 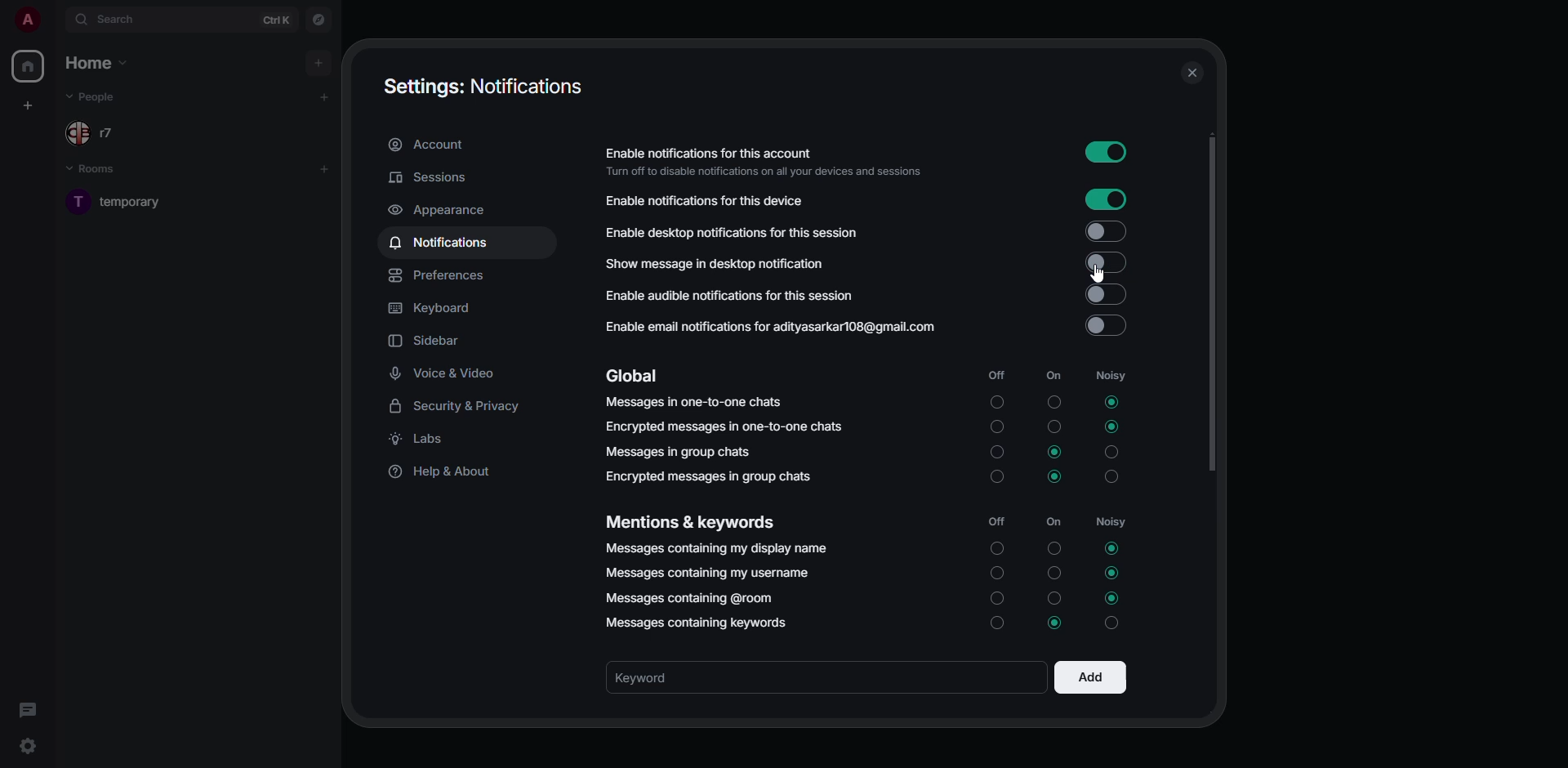 I want to click on Off Unselected, so click(x=999, y=453).